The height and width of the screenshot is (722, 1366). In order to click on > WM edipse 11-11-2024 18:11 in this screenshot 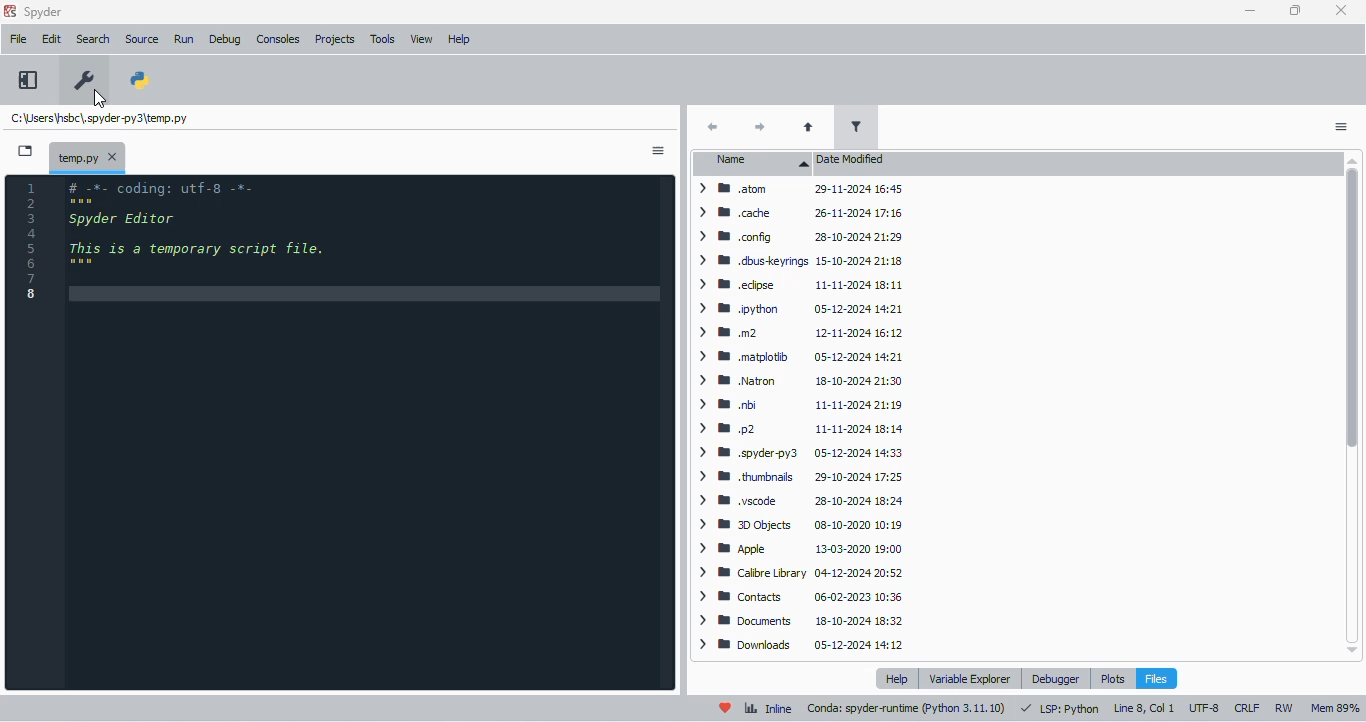, I will do `click(795, 285)`.